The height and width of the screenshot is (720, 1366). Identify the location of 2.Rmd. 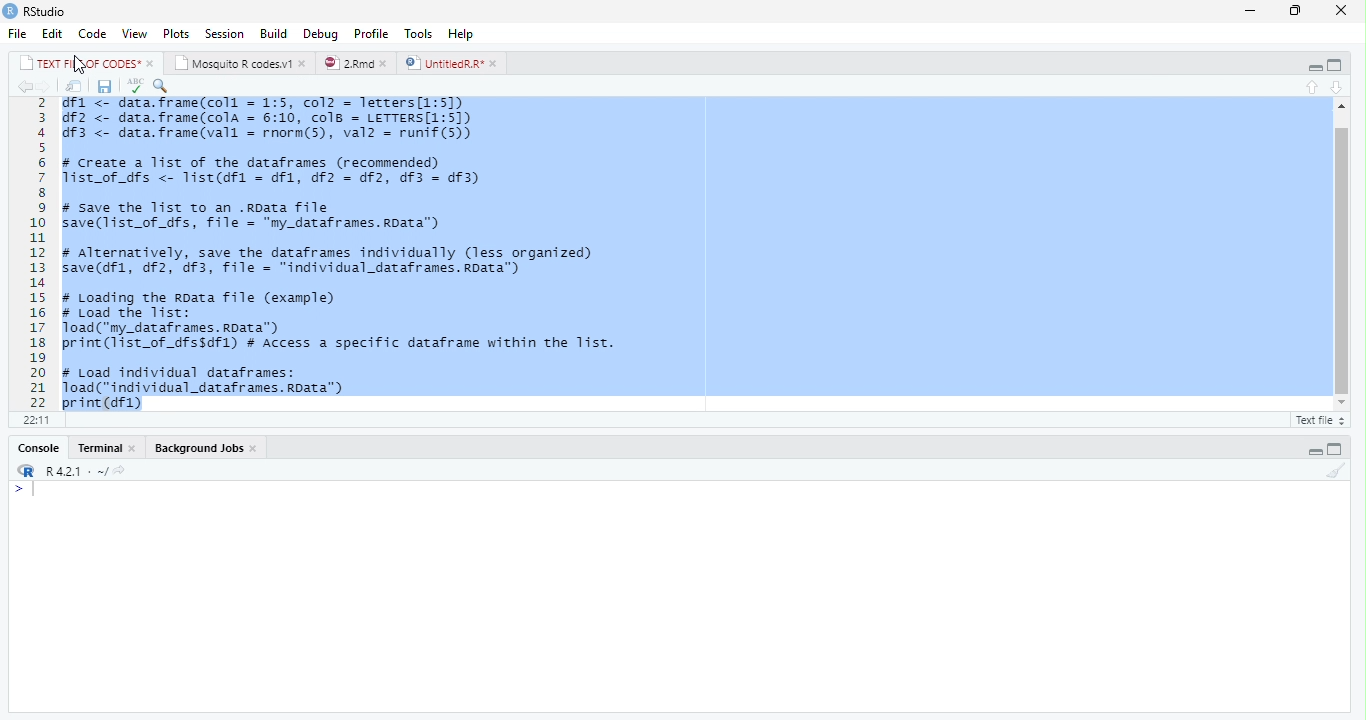
(355, 63).